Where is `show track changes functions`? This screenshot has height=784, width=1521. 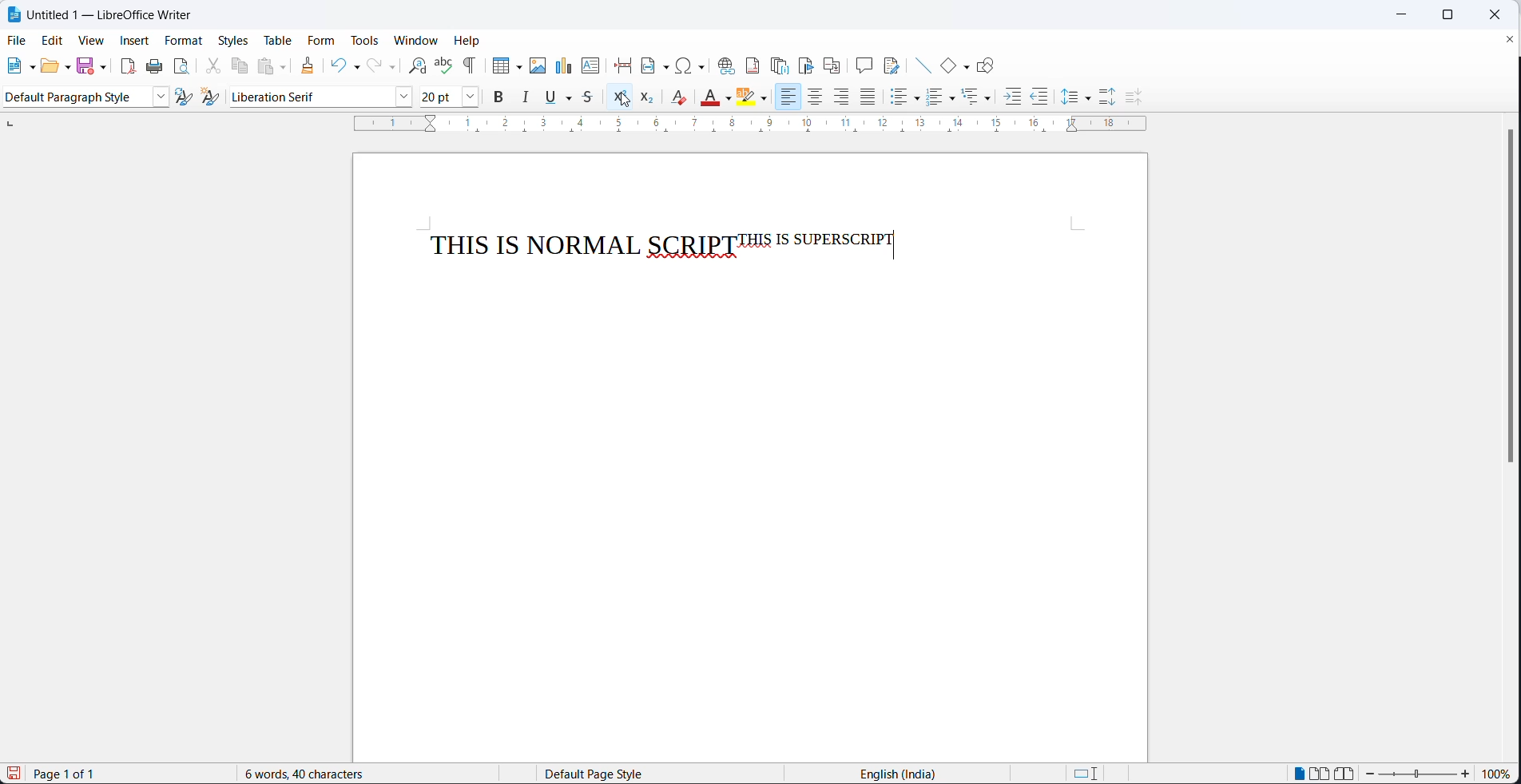 show track changes functions is located at coordinates (894, 63).